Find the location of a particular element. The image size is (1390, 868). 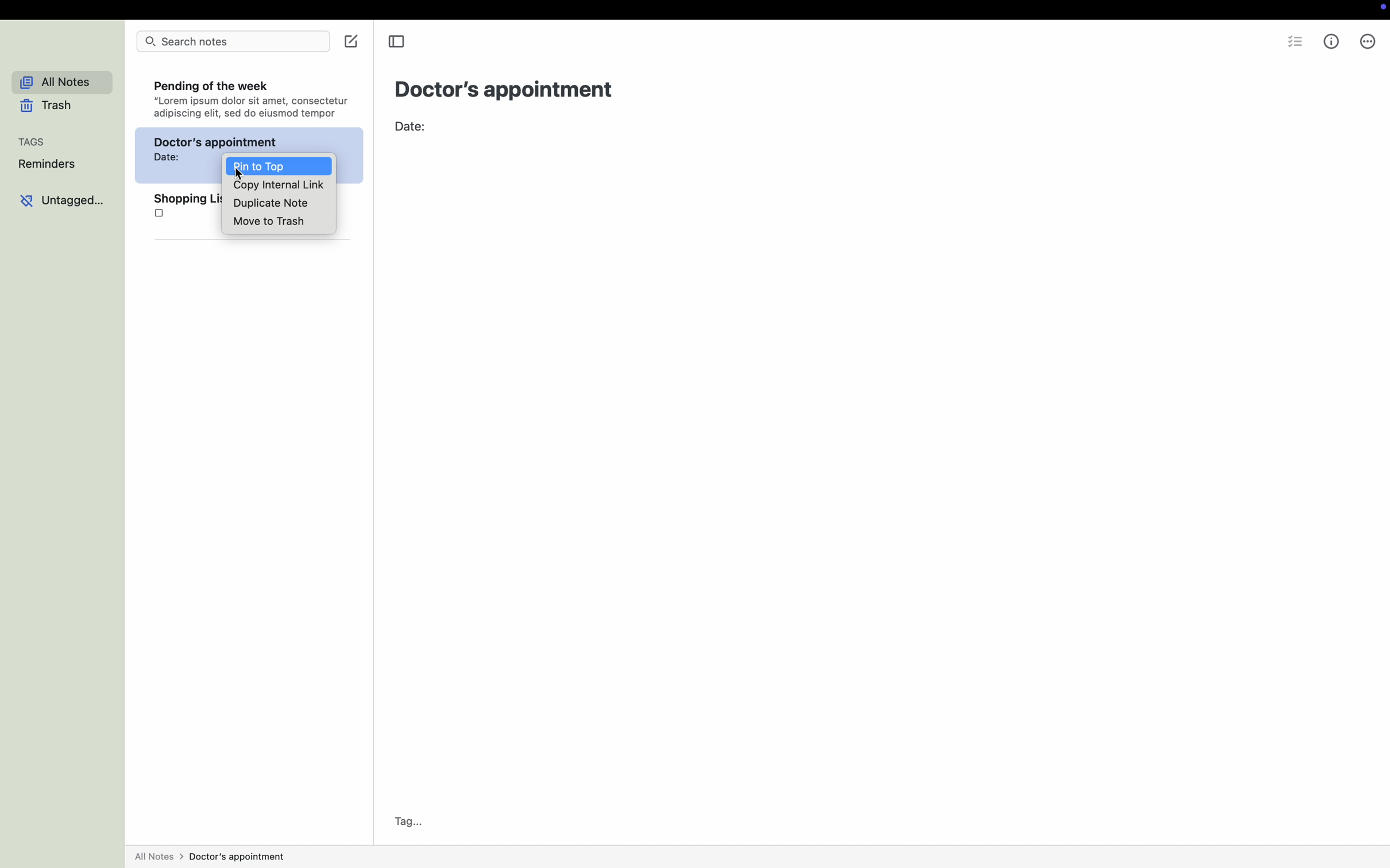

Pending of the week
“Lorem ipsum dolor sit amet, consectetur
adipiscing elit, sed do eiusmod tempor is located at coordinates (251, 99).